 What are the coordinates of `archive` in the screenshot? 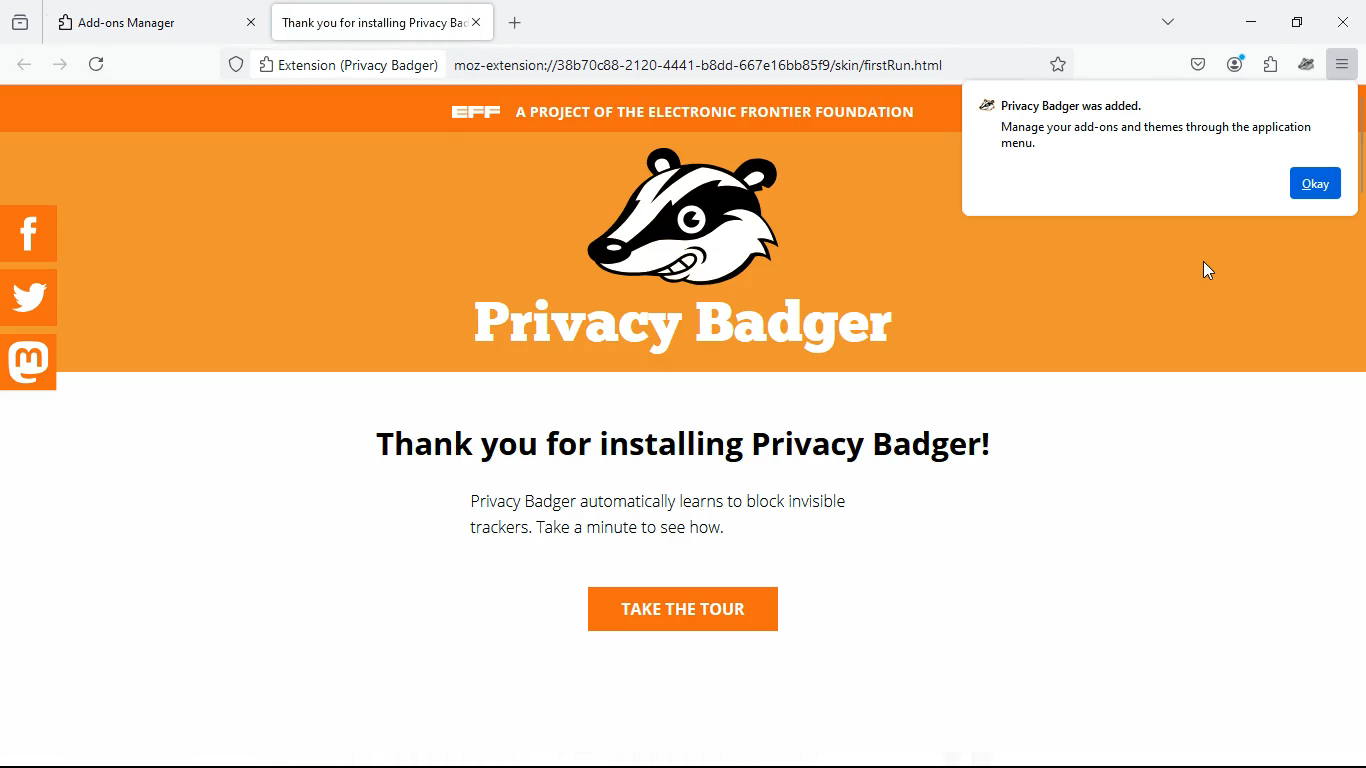 It's located at (18, 25).